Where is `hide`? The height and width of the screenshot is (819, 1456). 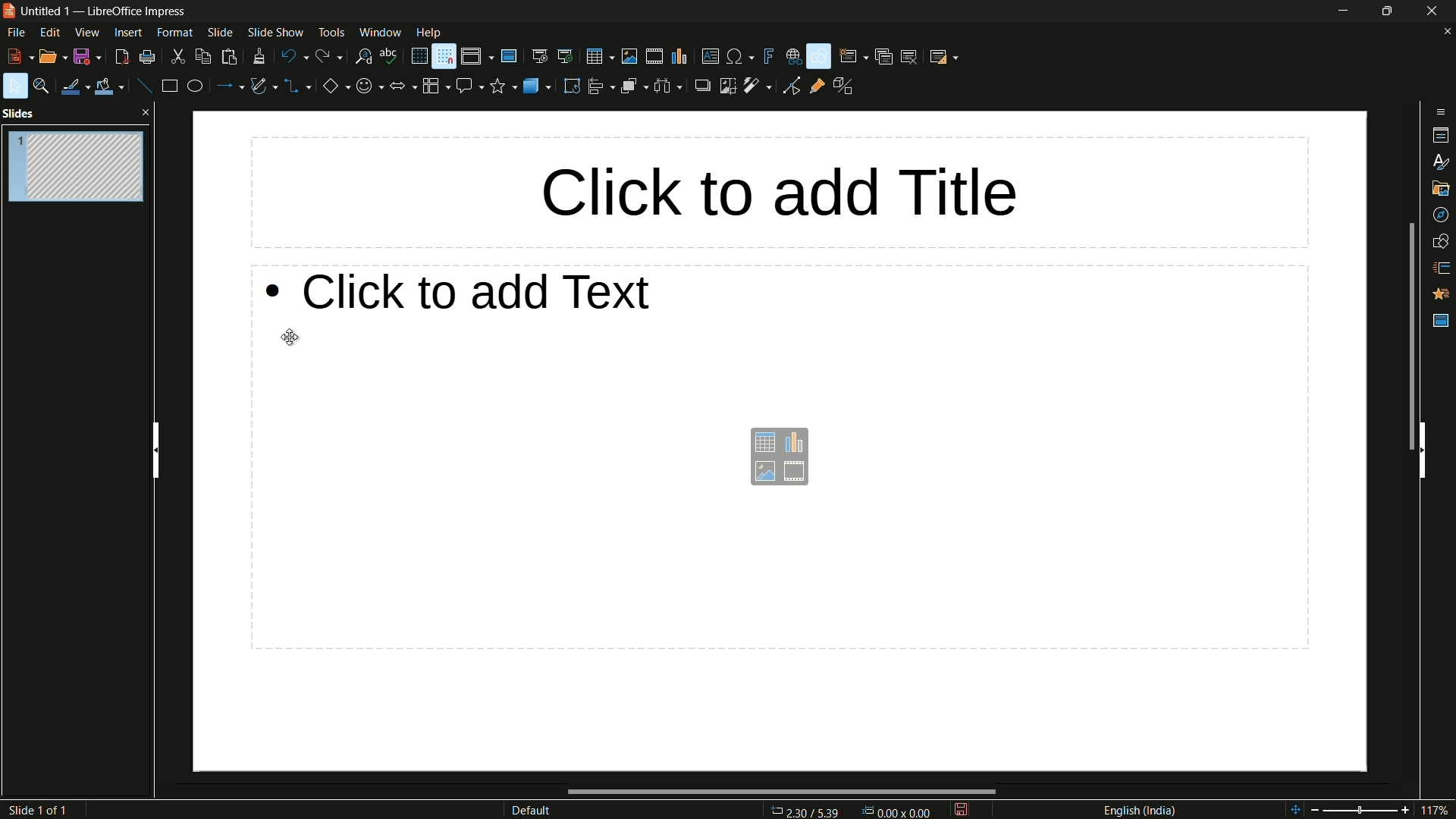 hide is located at coordinates (1424, 450).